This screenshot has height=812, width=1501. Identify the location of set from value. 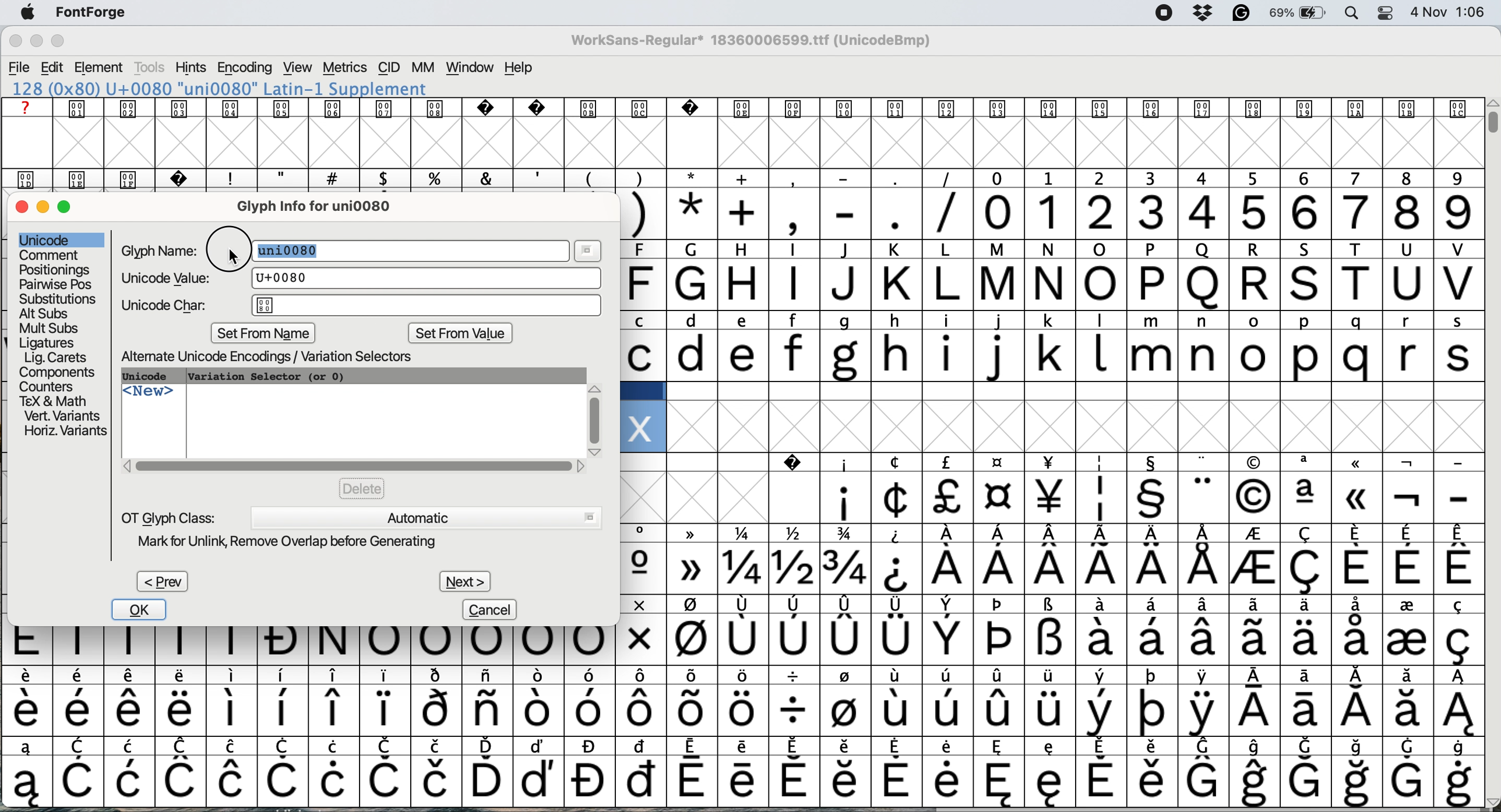
(460, 335).